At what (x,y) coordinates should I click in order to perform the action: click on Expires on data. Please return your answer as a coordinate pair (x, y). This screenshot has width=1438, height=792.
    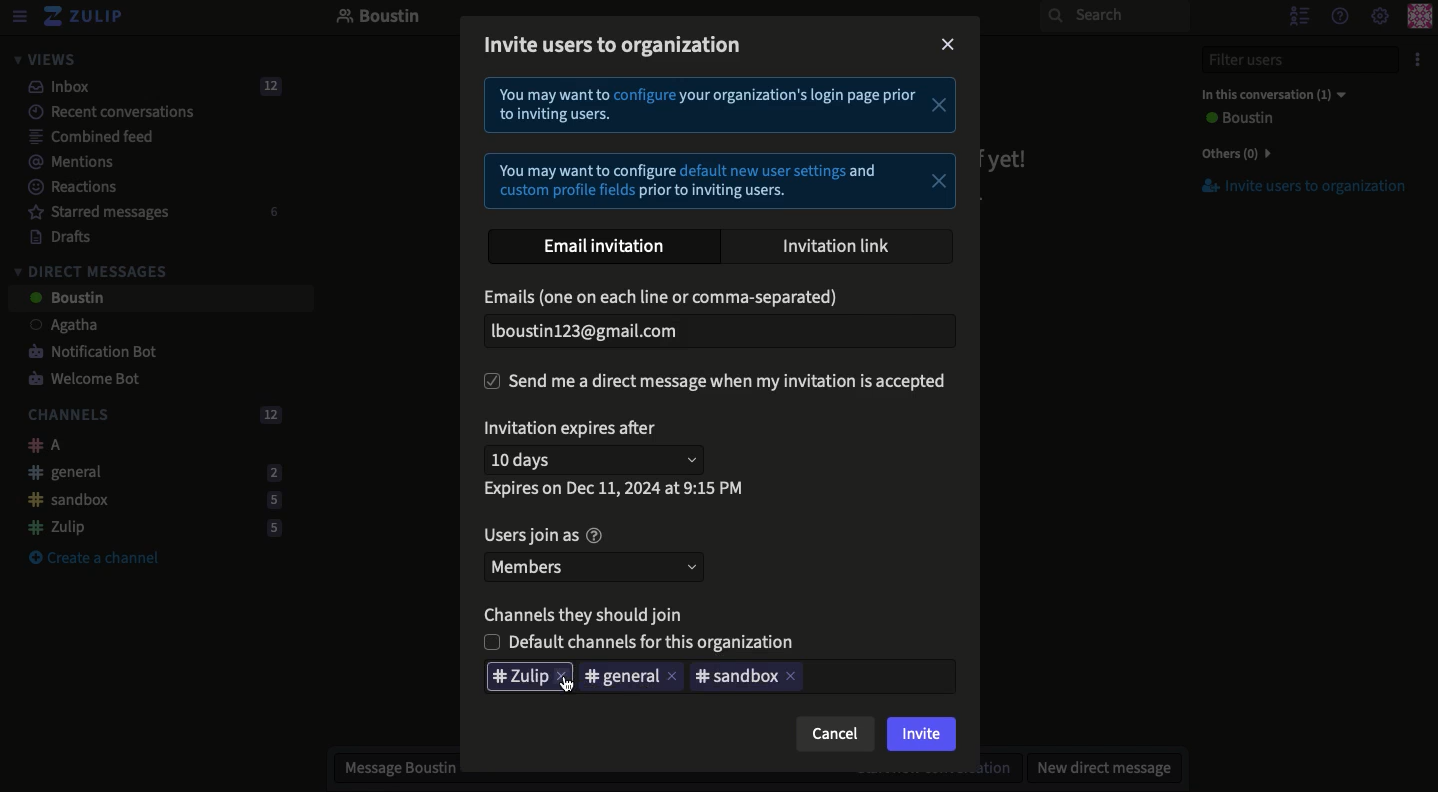
    Looking at the image, I should click on (616, 489).